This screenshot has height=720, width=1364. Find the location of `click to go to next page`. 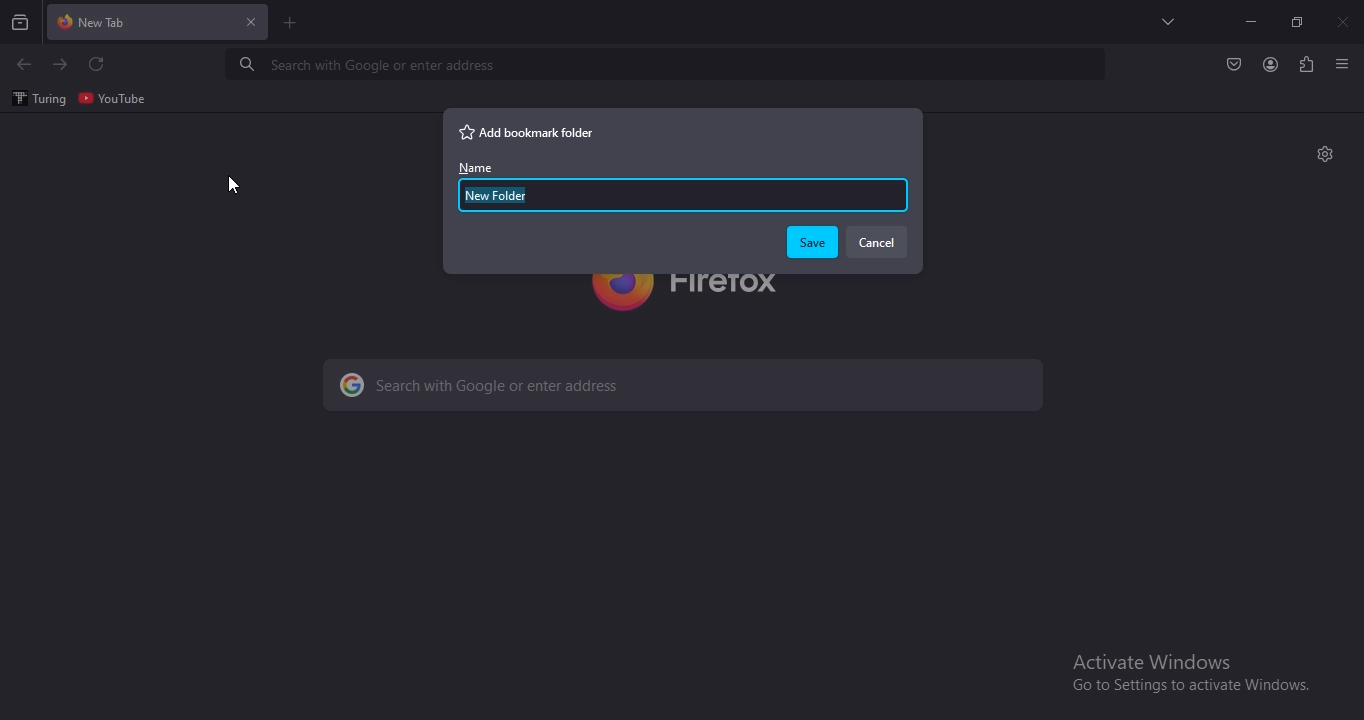

click to go to next page is located at coordinates (61, 64).